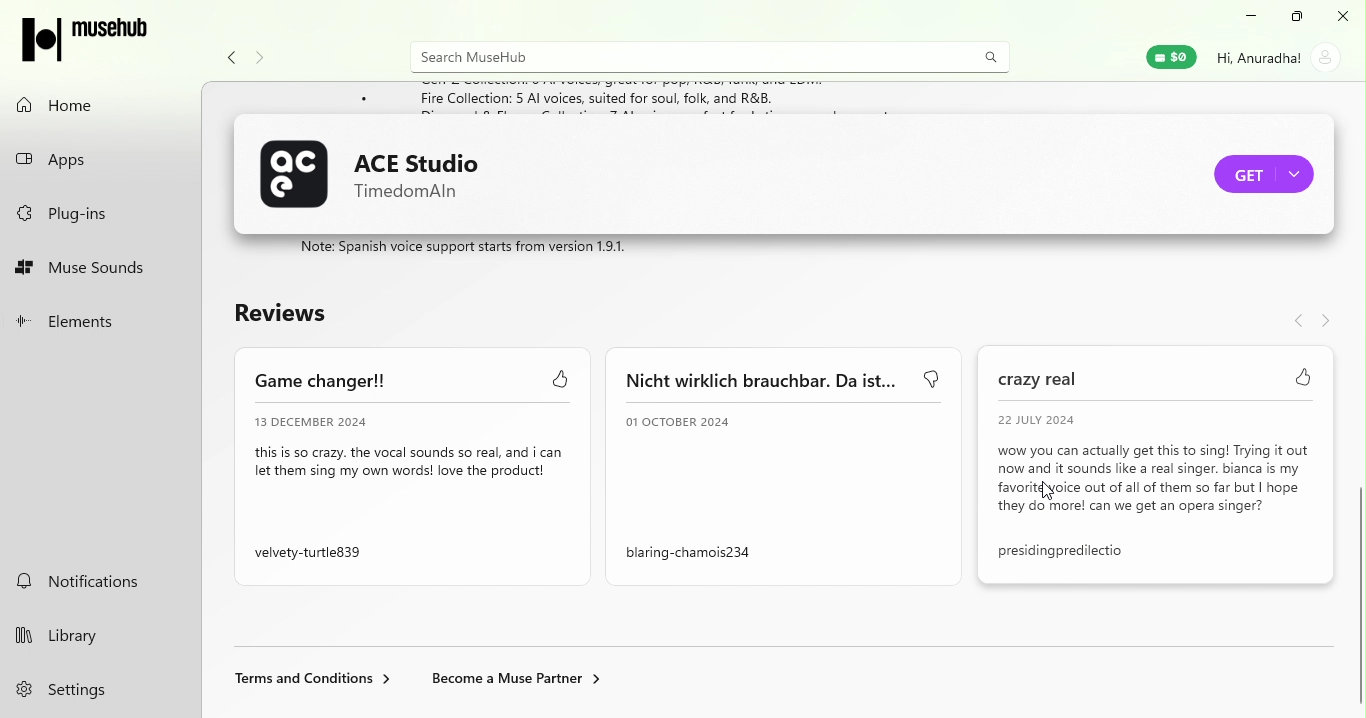 The image size is (1366, 718). Describe the element at coordinates (80, 691) in the screenshot. I see `settings` at that location.